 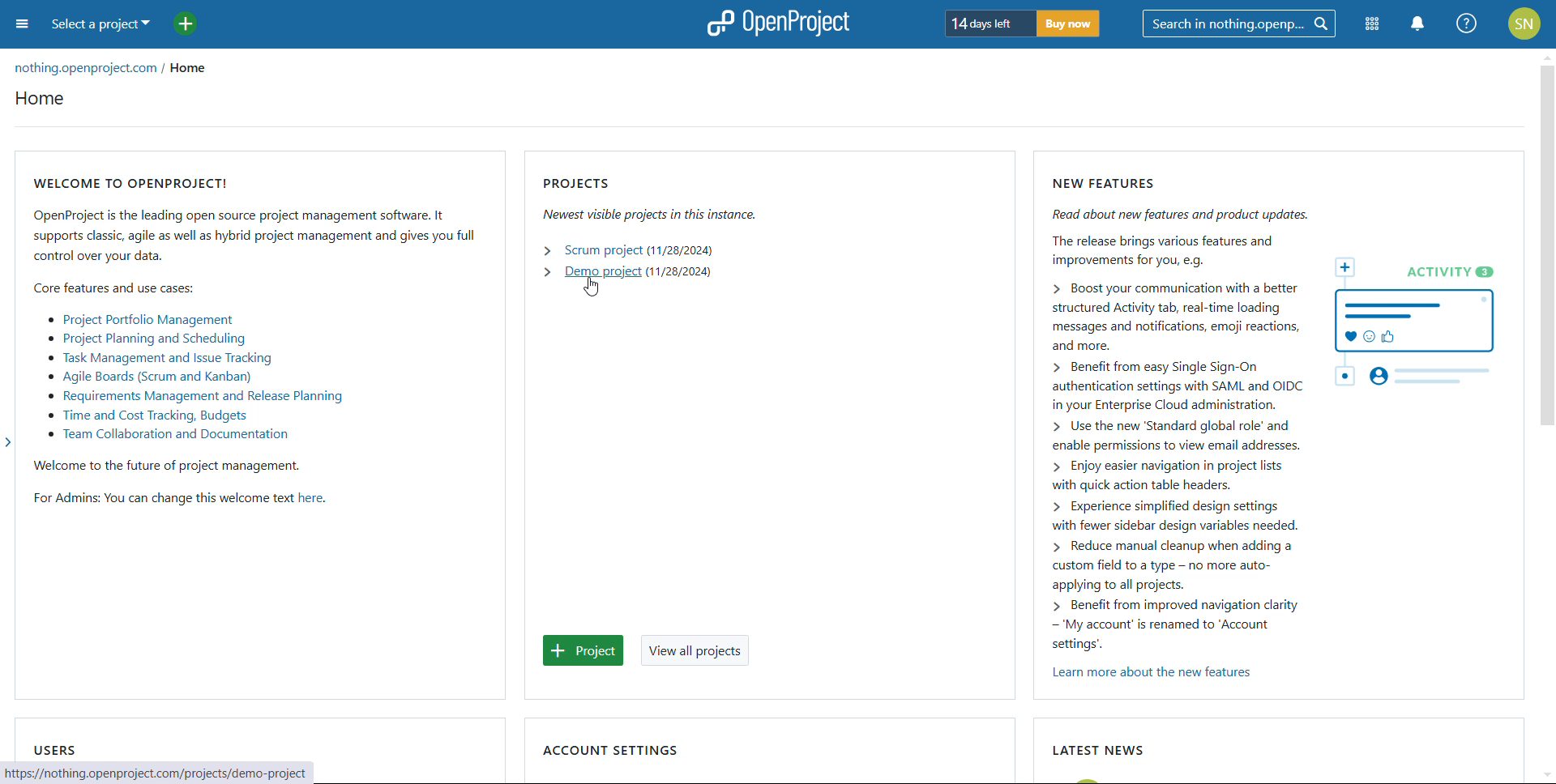 I want to click on projects, so click(x=650, y=198).